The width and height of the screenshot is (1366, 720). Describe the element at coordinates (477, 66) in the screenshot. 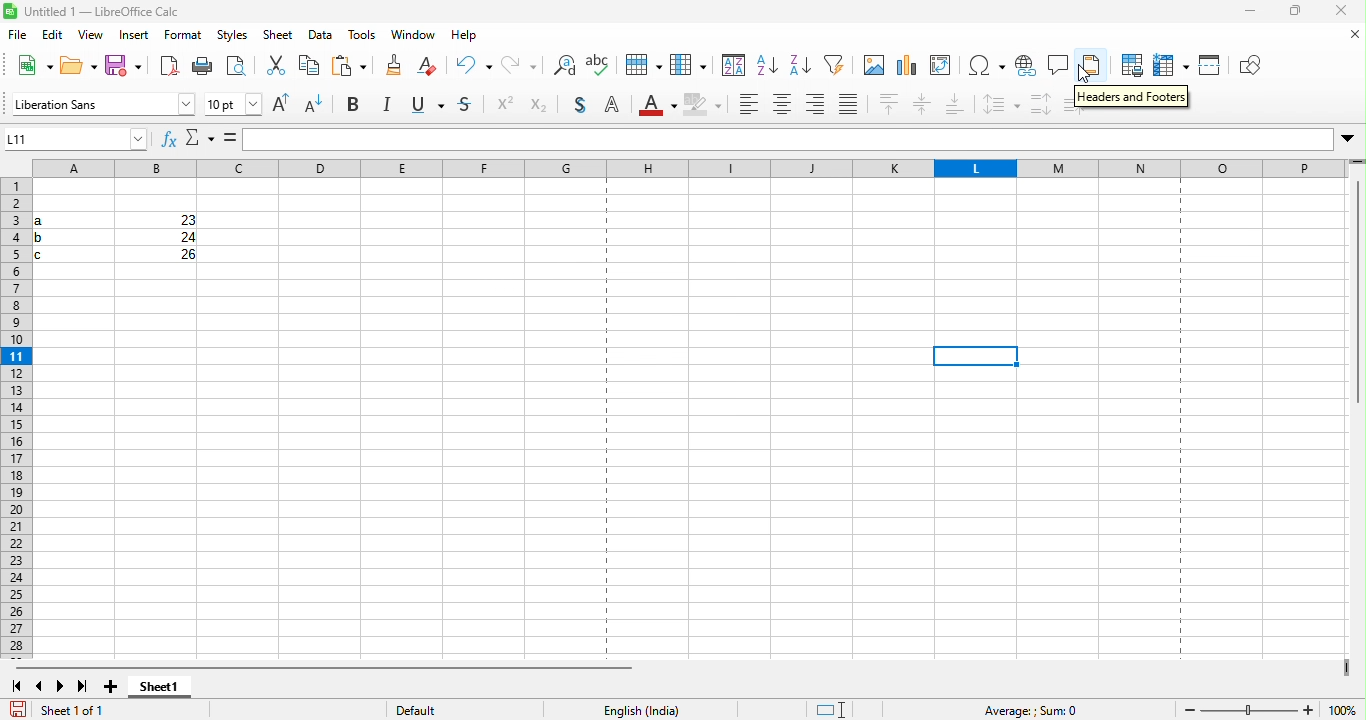

I see `redo` at that location.